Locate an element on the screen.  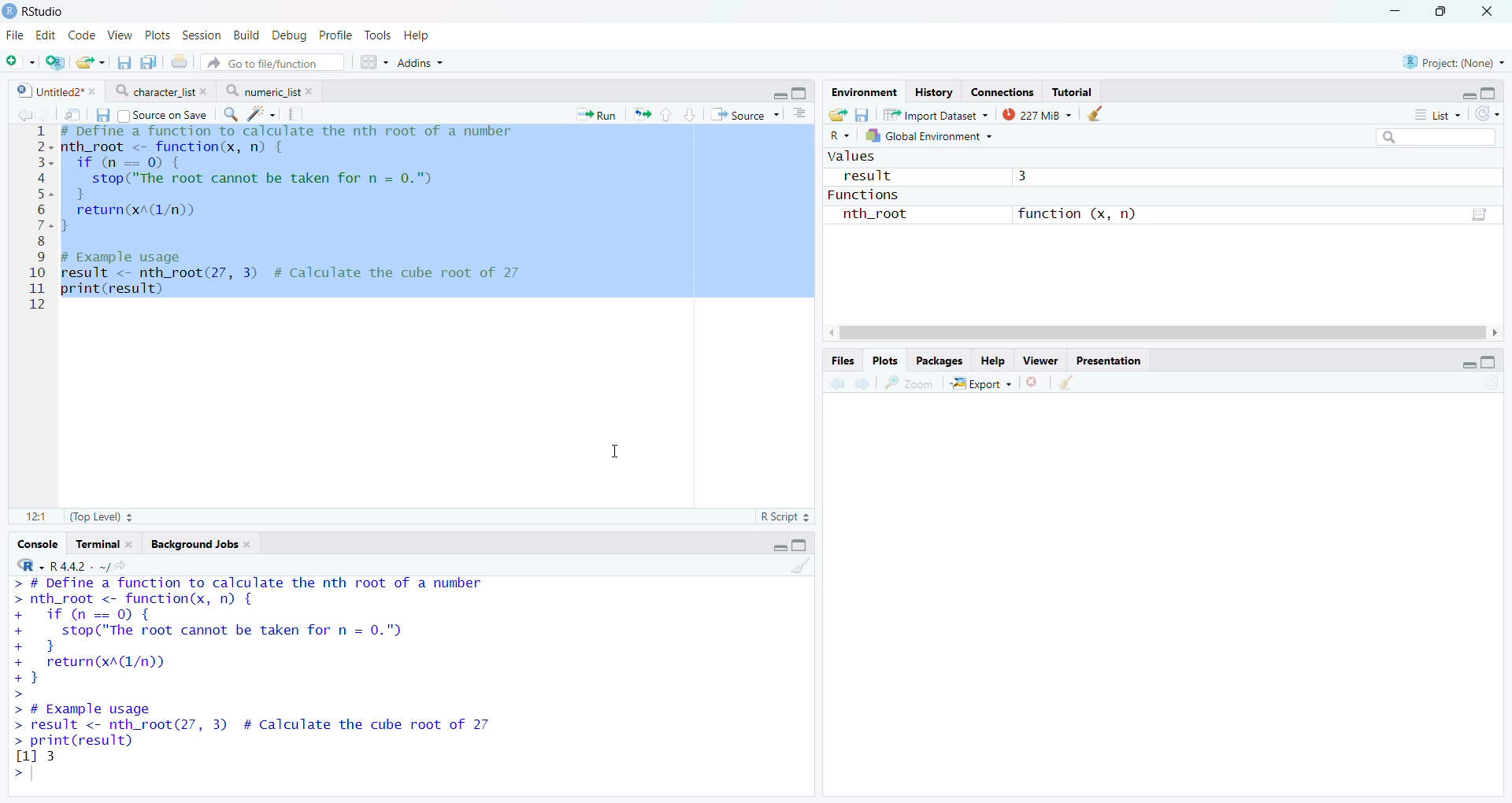
Scroll is located at coordinates (1162, 334).